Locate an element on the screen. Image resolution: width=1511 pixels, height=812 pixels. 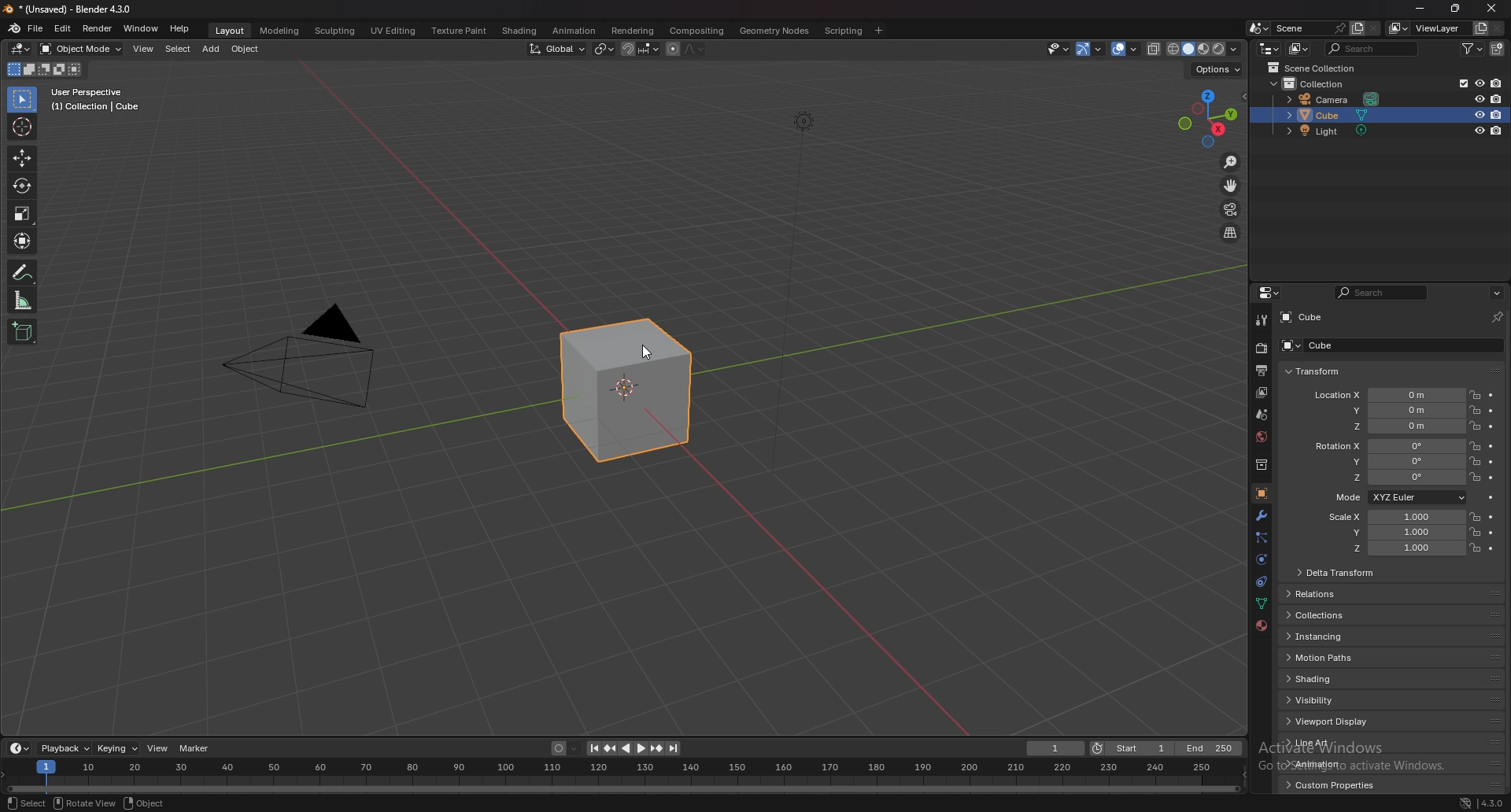
move is located at coordinates (21, 157).